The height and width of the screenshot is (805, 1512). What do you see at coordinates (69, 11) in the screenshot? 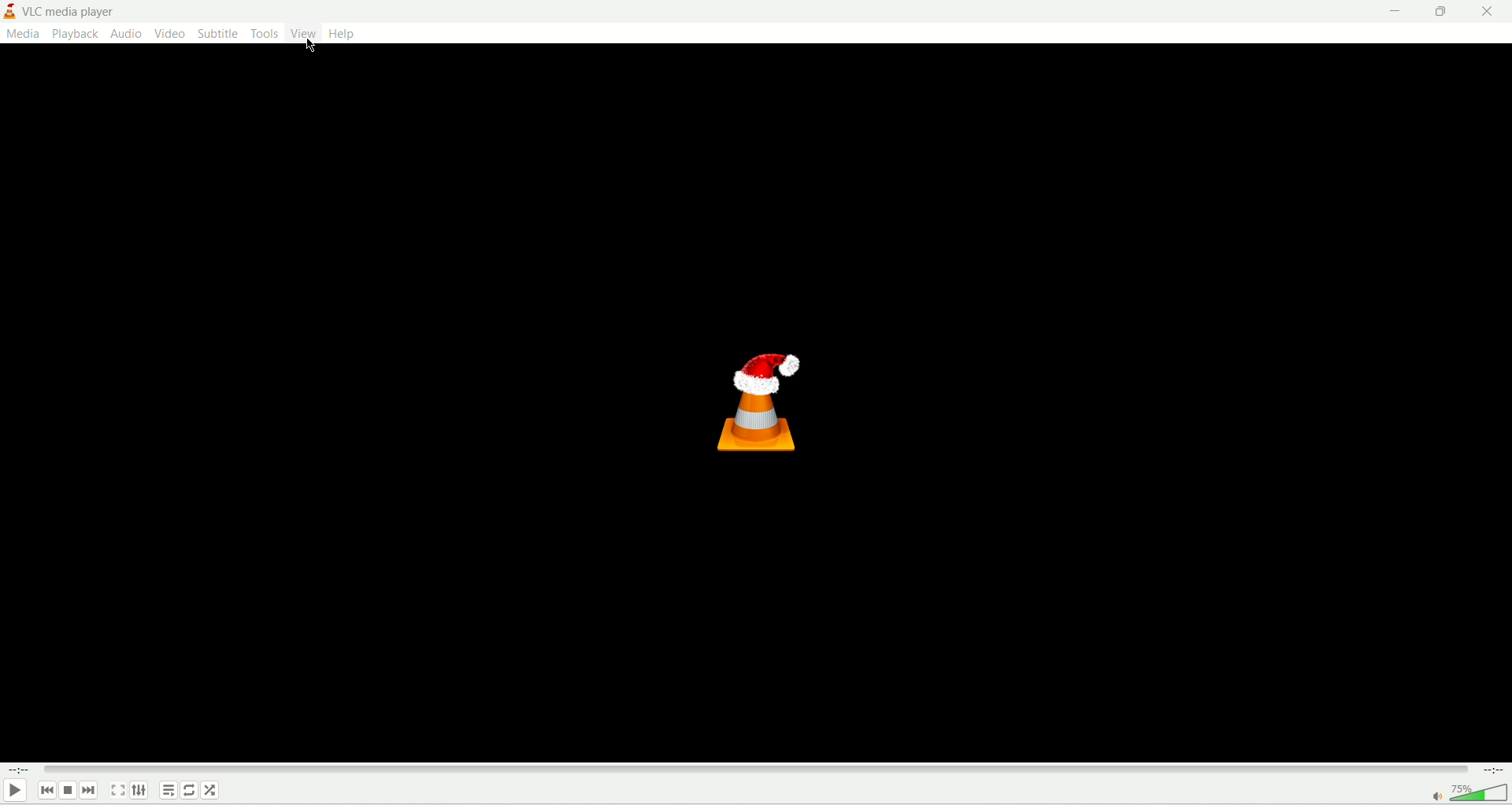
I see `vlc media player` at bounding box center [69, 11].